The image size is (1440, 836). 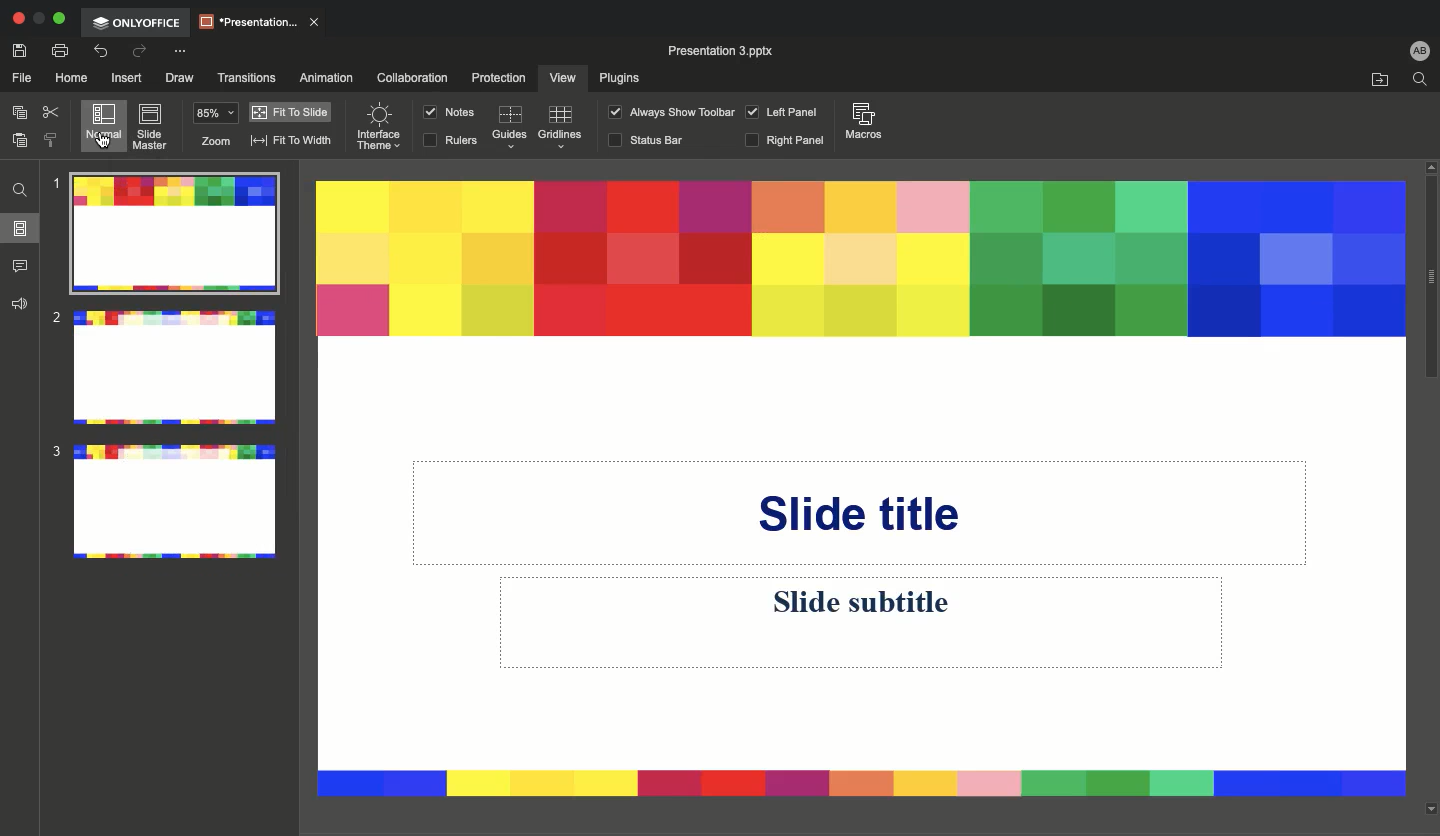 I want to click on Notes, so click(x=449, y=112).